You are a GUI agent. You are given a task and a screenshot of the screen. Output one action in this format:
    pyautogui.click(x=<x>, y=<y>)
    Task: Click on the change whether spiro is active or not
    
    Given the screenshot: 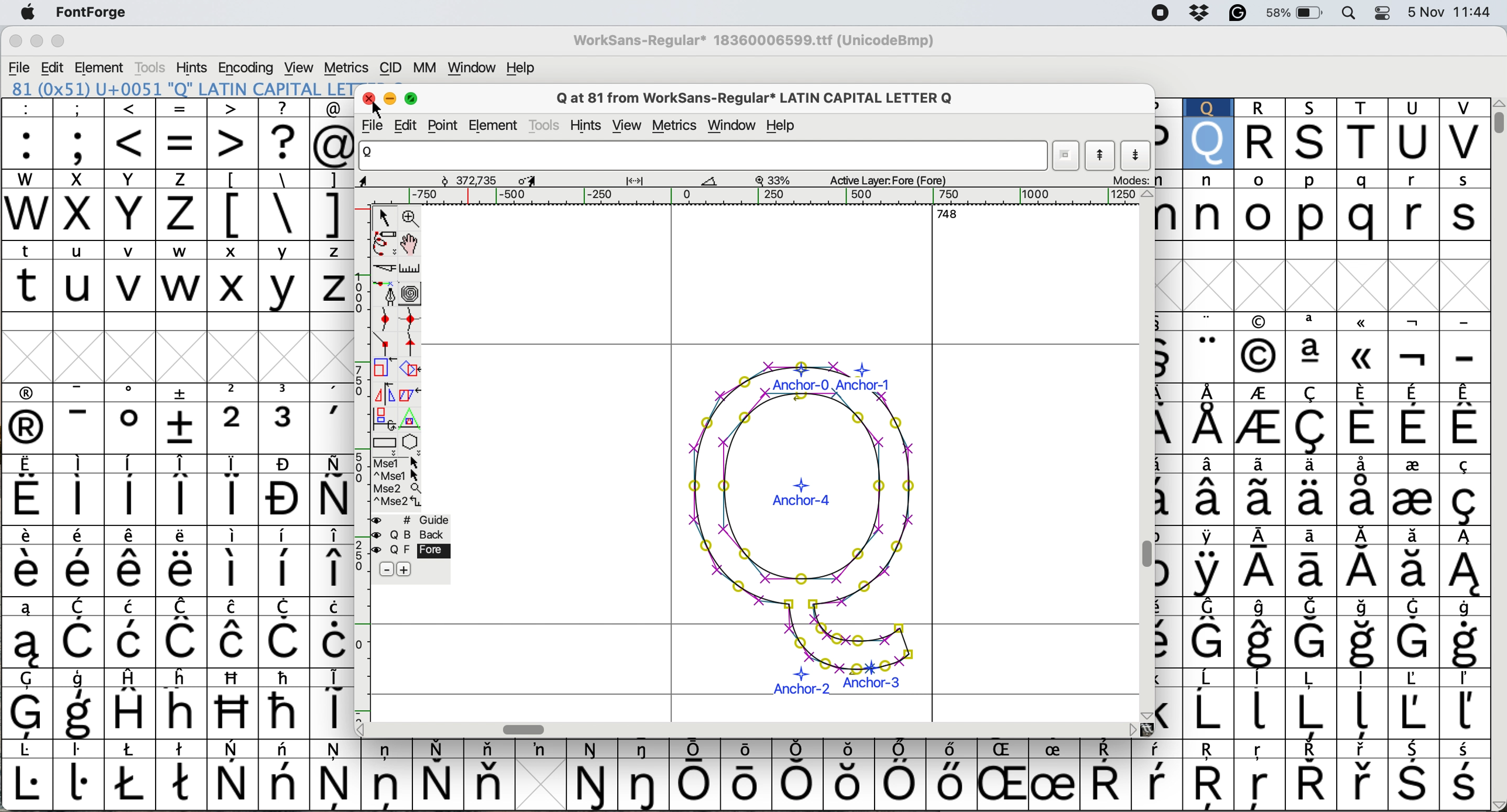 What is the action you would take?
    pyautogui.click(x=413, y=295)
    